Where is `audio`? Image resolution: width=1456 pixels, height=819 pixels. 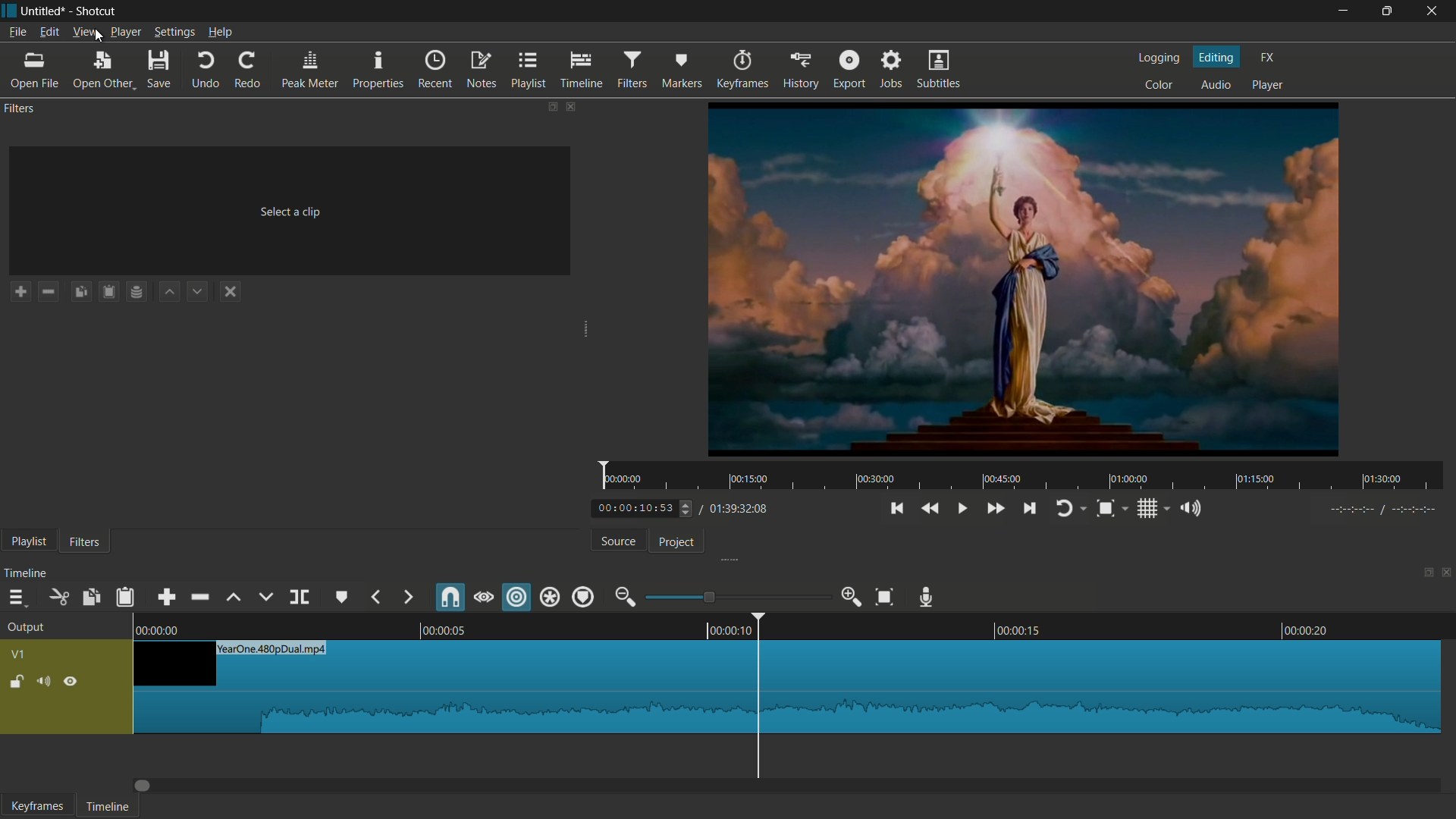 audio is located at coordinates (1216, 84).